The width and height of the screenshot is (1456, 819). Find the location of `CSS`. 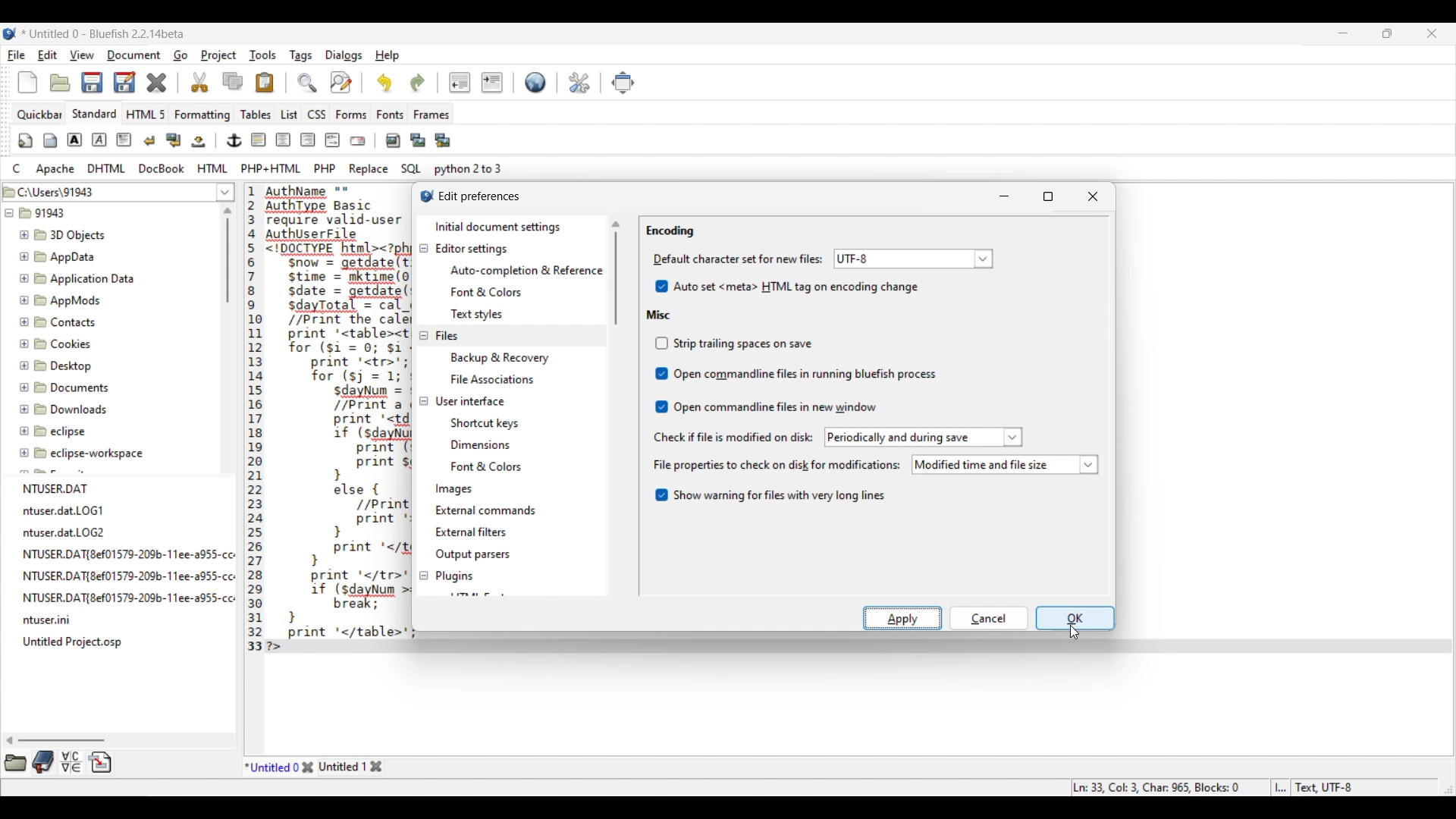

CSS is located at coordinates (317, 115).